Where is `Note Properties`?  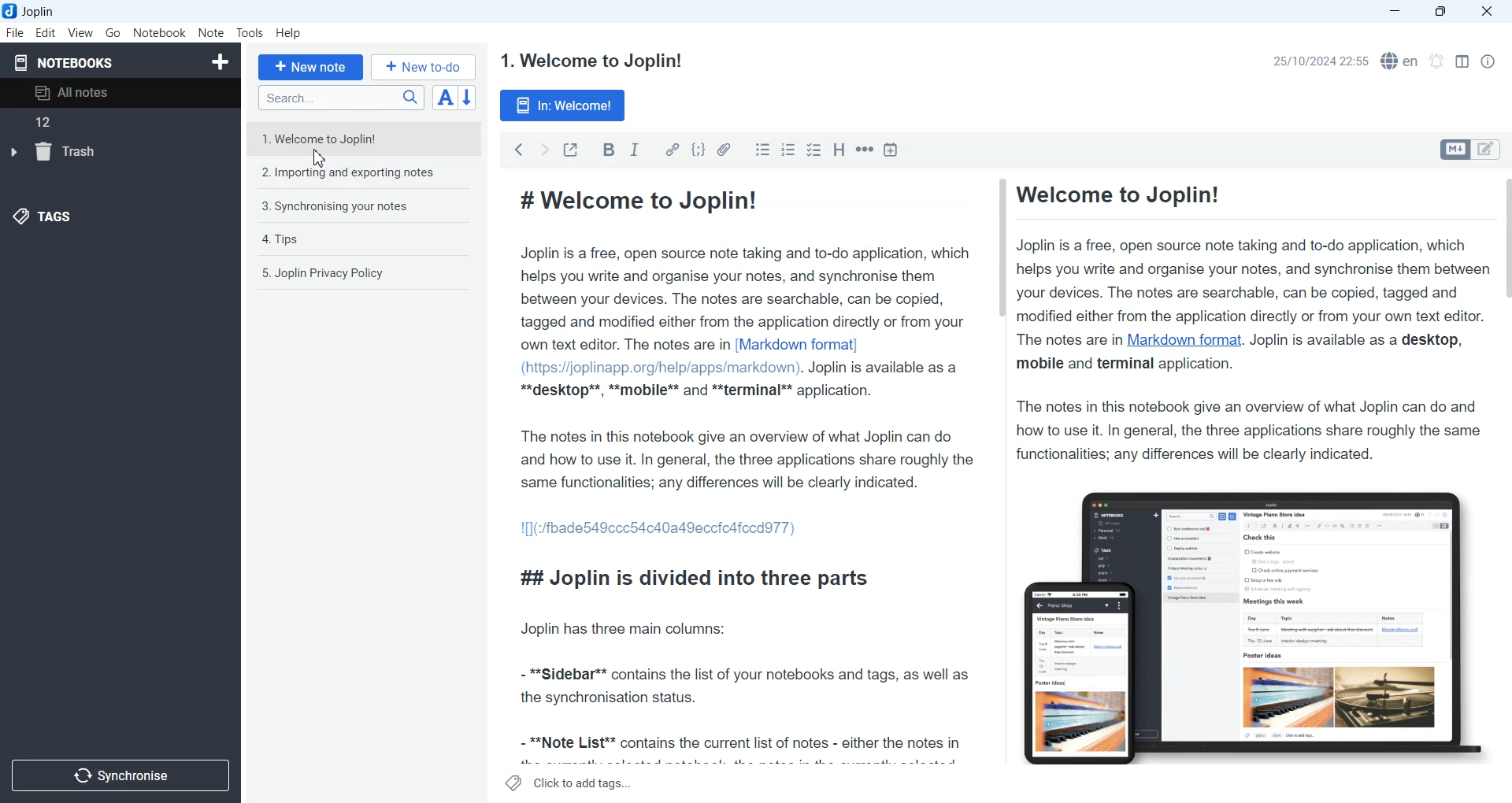 Note Properties is located at coordinates (1488, 61).